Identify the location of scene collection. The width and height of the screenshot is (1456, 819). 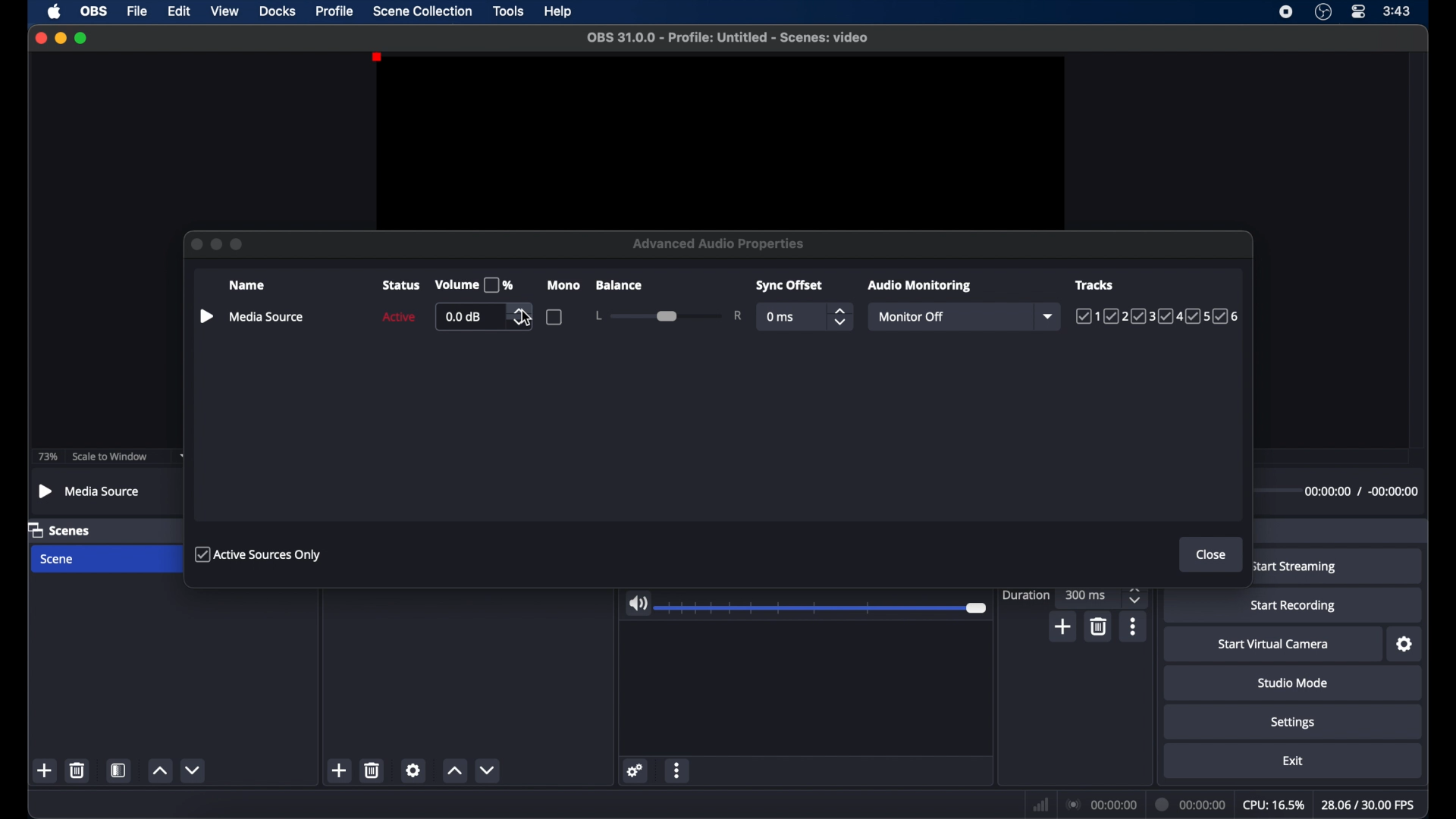
(422, 11).